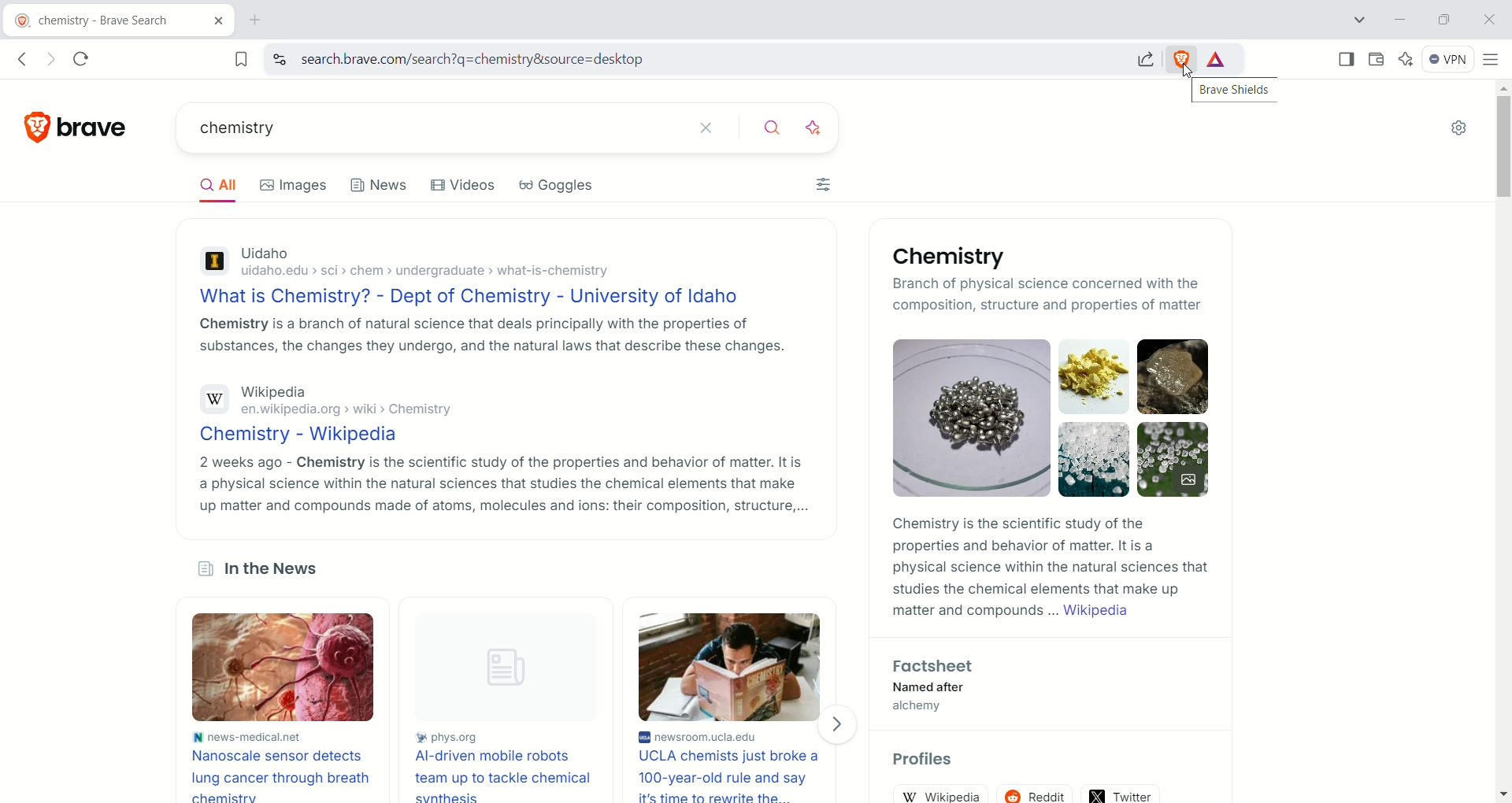 The width and height of the screenshot is (1512, 803). What do you see at coordinates (380, 183) in the screenshot?
I see `News` at bounding box center [380, 183].